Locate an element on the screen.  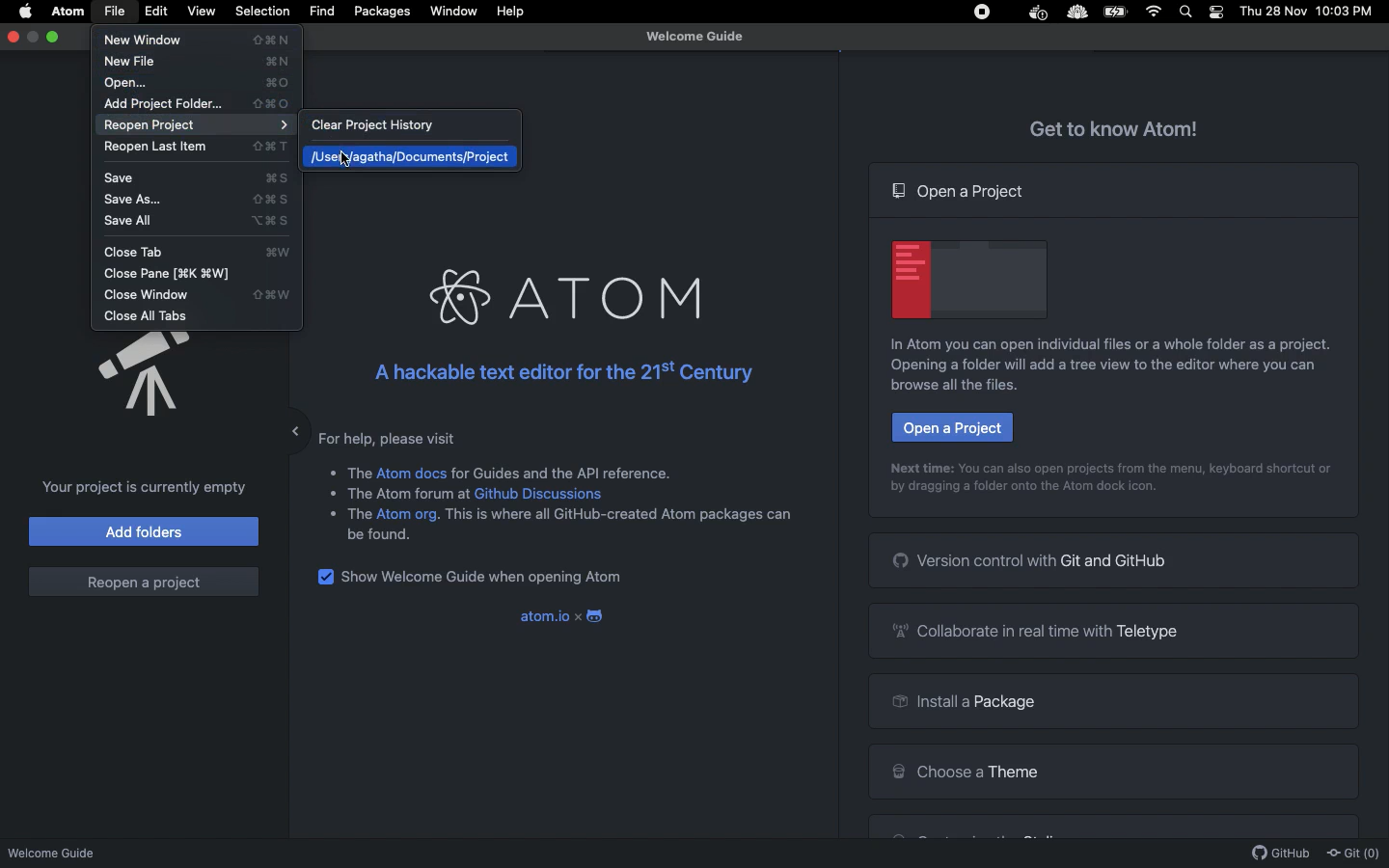
 is located at coordinates (1076, 14).